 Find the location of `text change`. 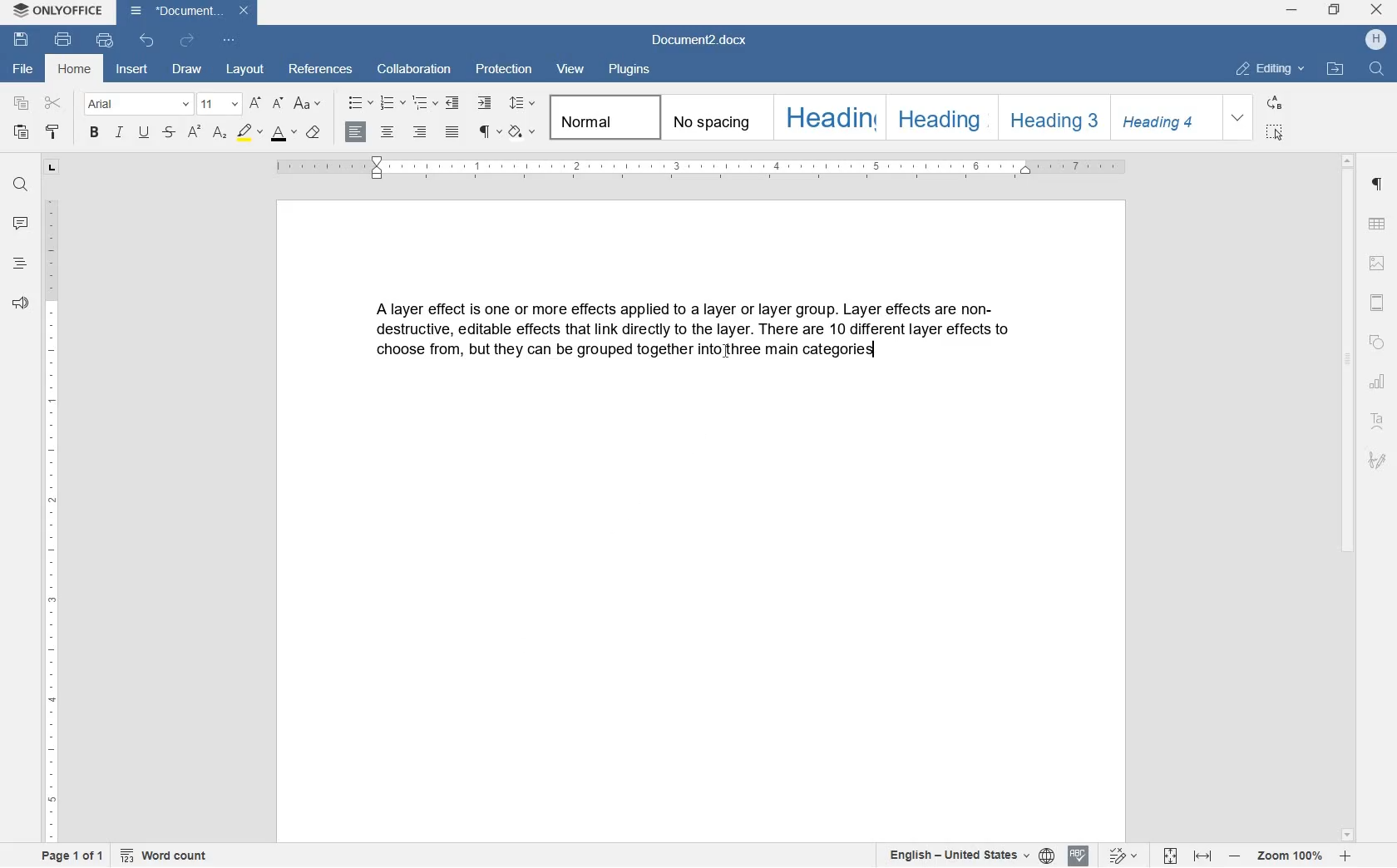

text change is located at coordinates (1120, 856).